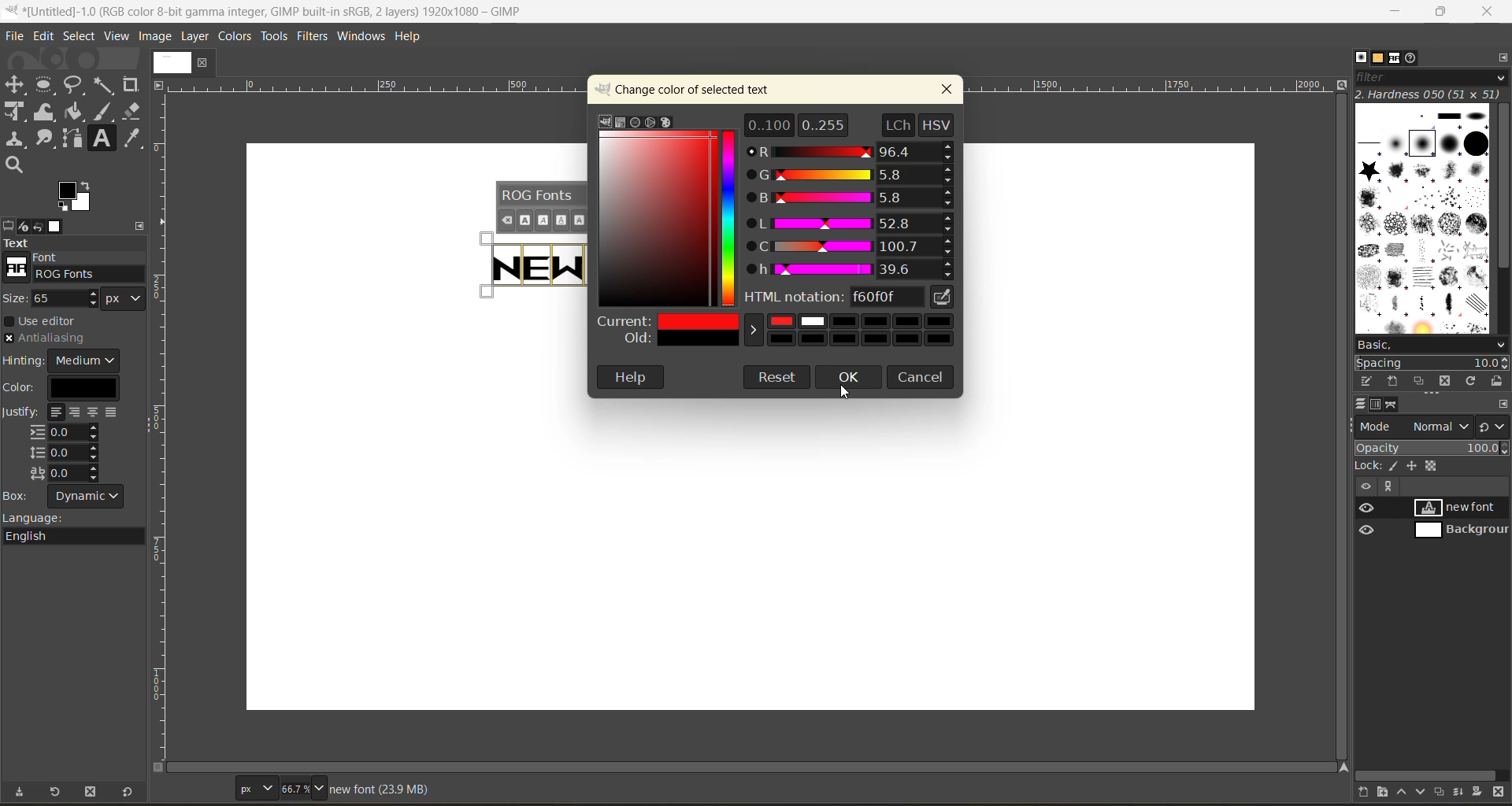  What do you see at coordinates (169, 63) in the screenshot?
I see `image` at bounding box center [169, 63].